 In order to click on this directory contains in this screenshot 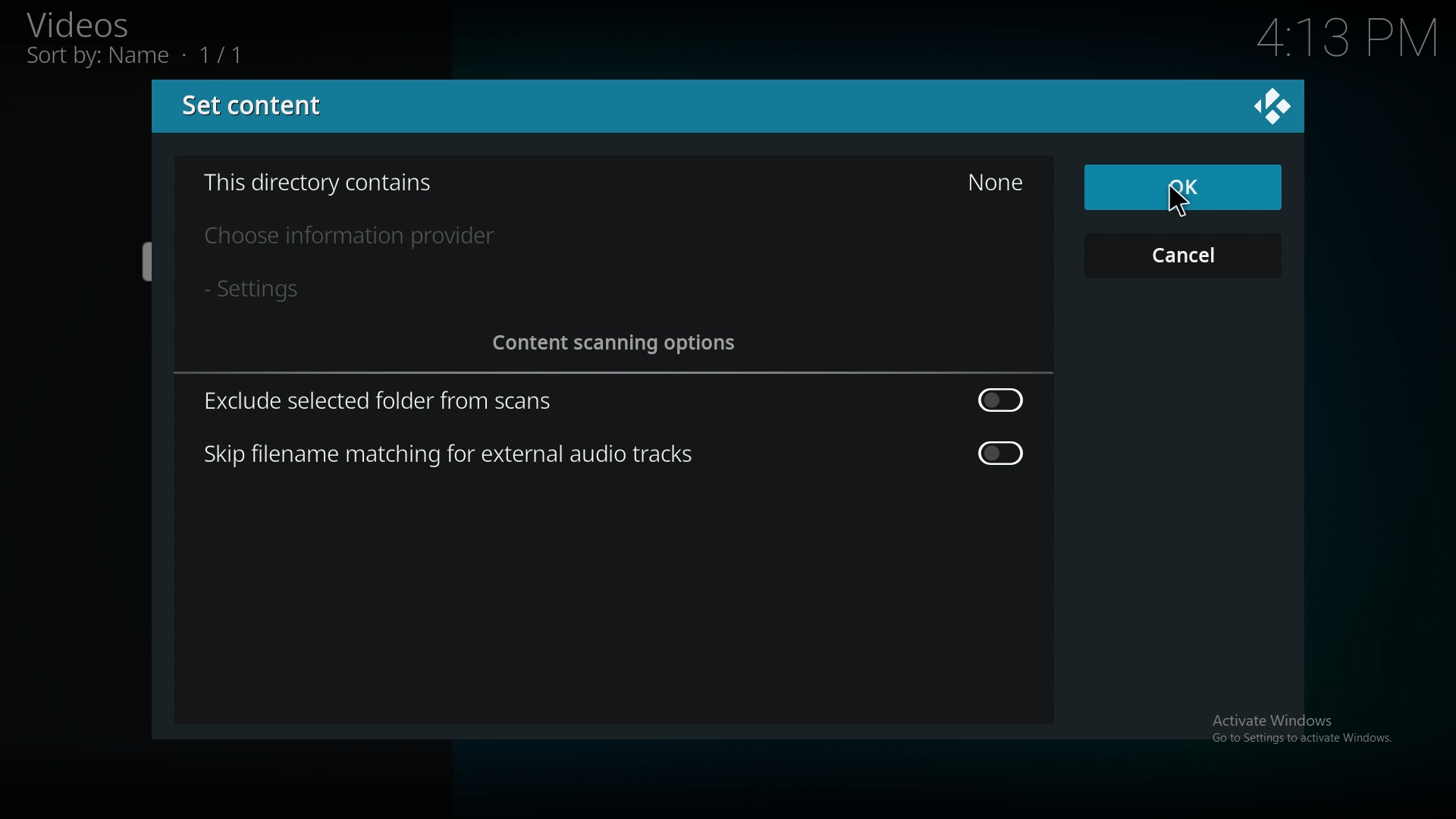, I will do `click(331, 184)`.